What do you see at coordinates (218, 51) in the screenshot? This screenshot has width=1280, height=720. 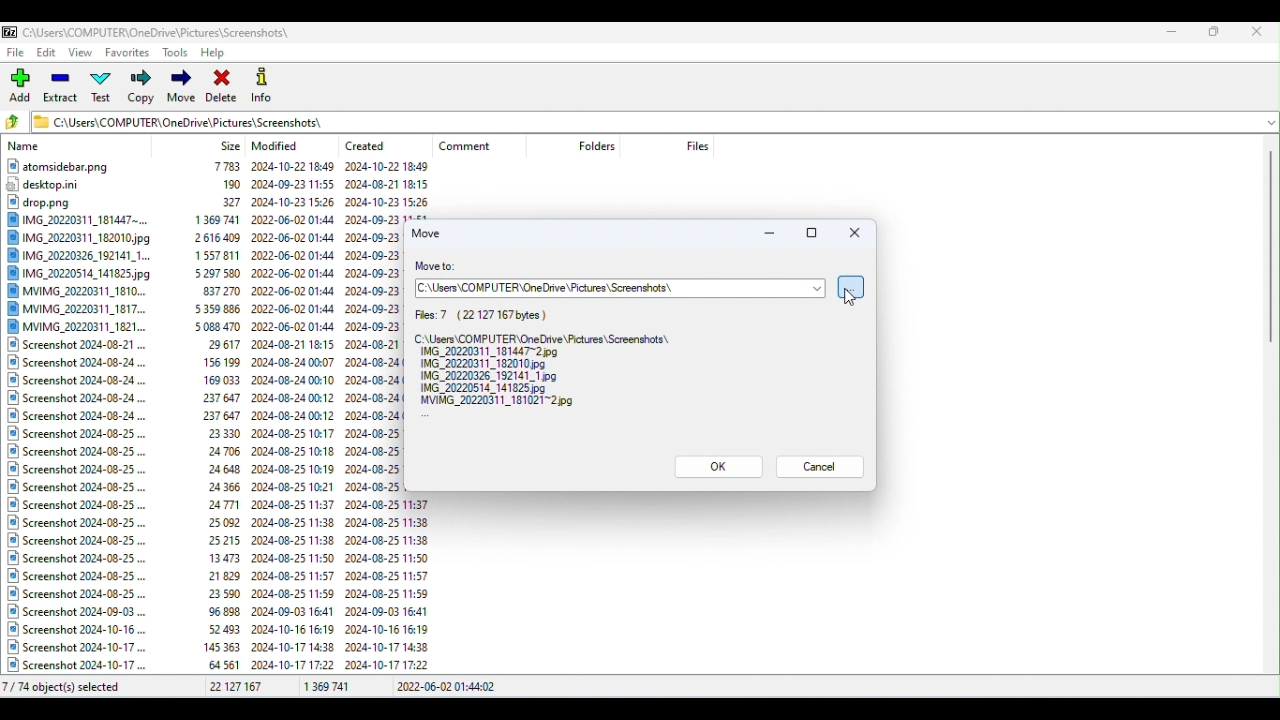 I see `Help` at bounding box center [218, 51].